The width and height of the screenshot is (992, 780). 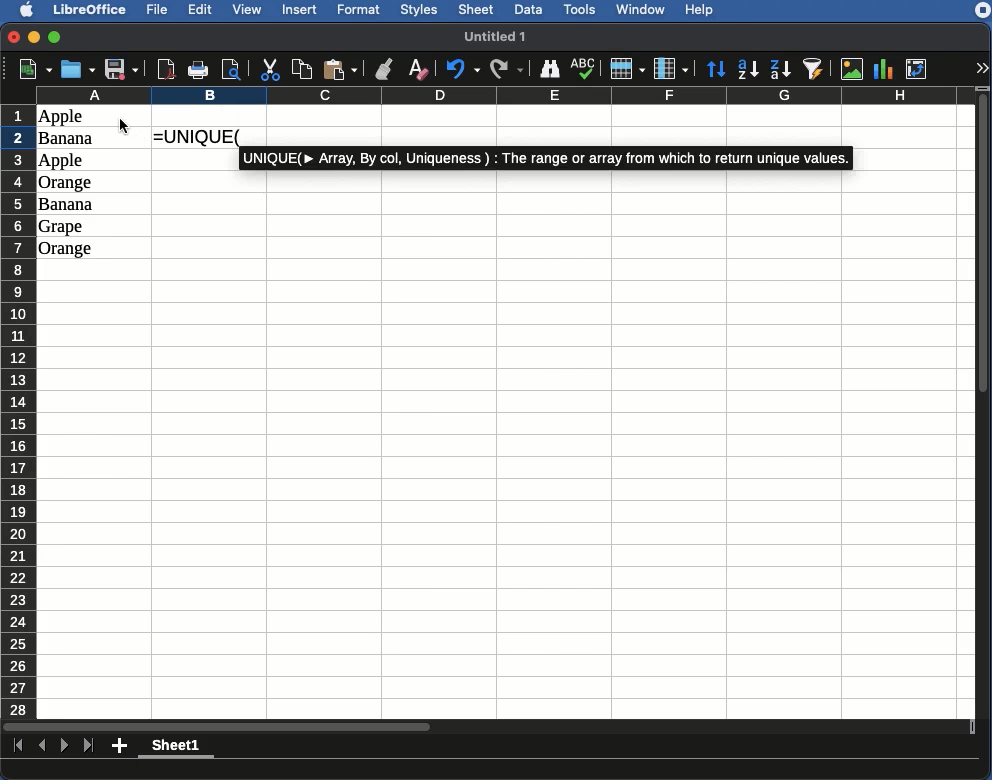 I want to click on AutoFilter, so click(x=816, y=68).